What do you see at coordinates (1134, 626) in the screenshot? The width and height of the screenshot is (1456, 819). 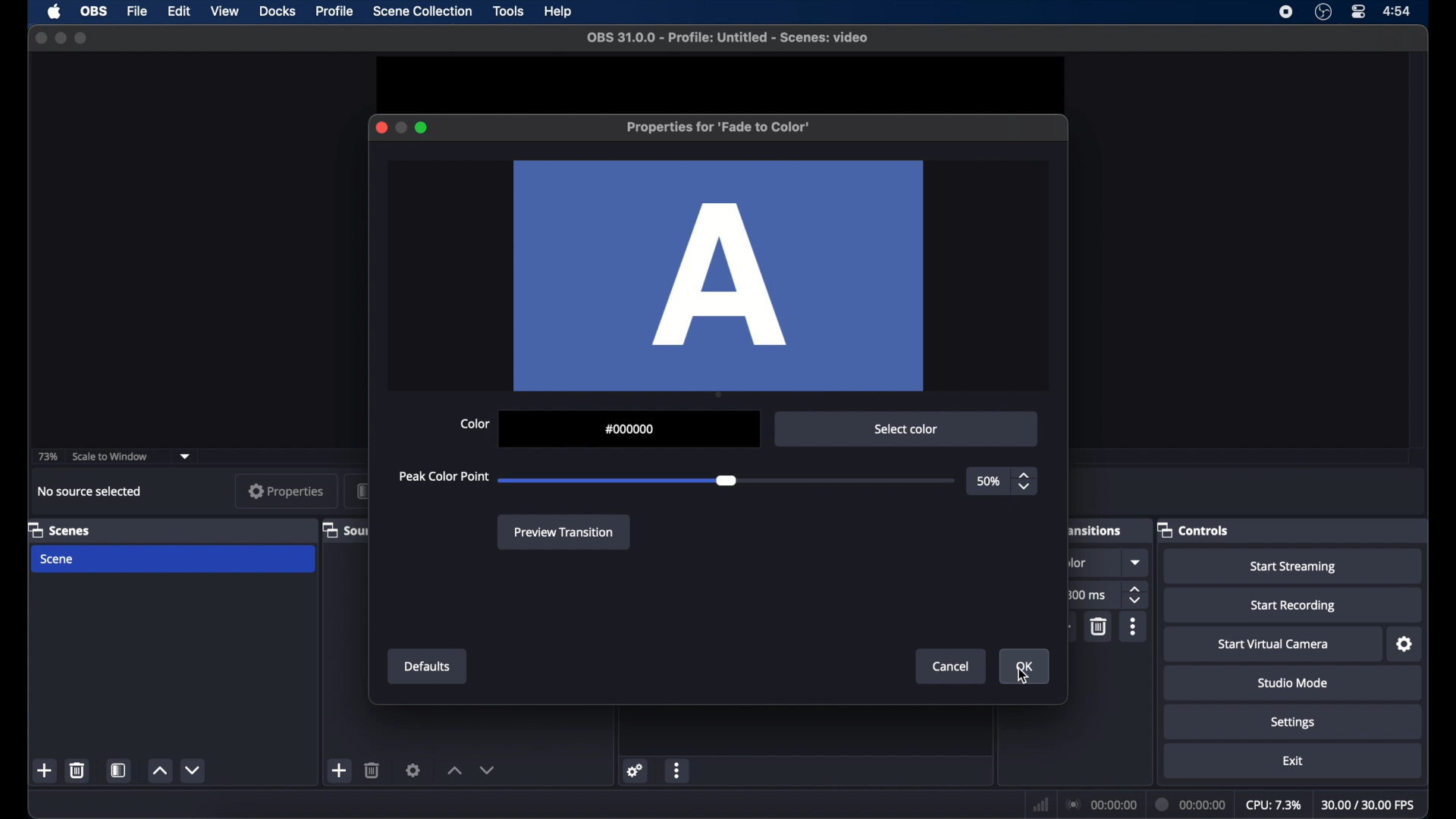 I see `more options` at bounding box center [1134, 626].